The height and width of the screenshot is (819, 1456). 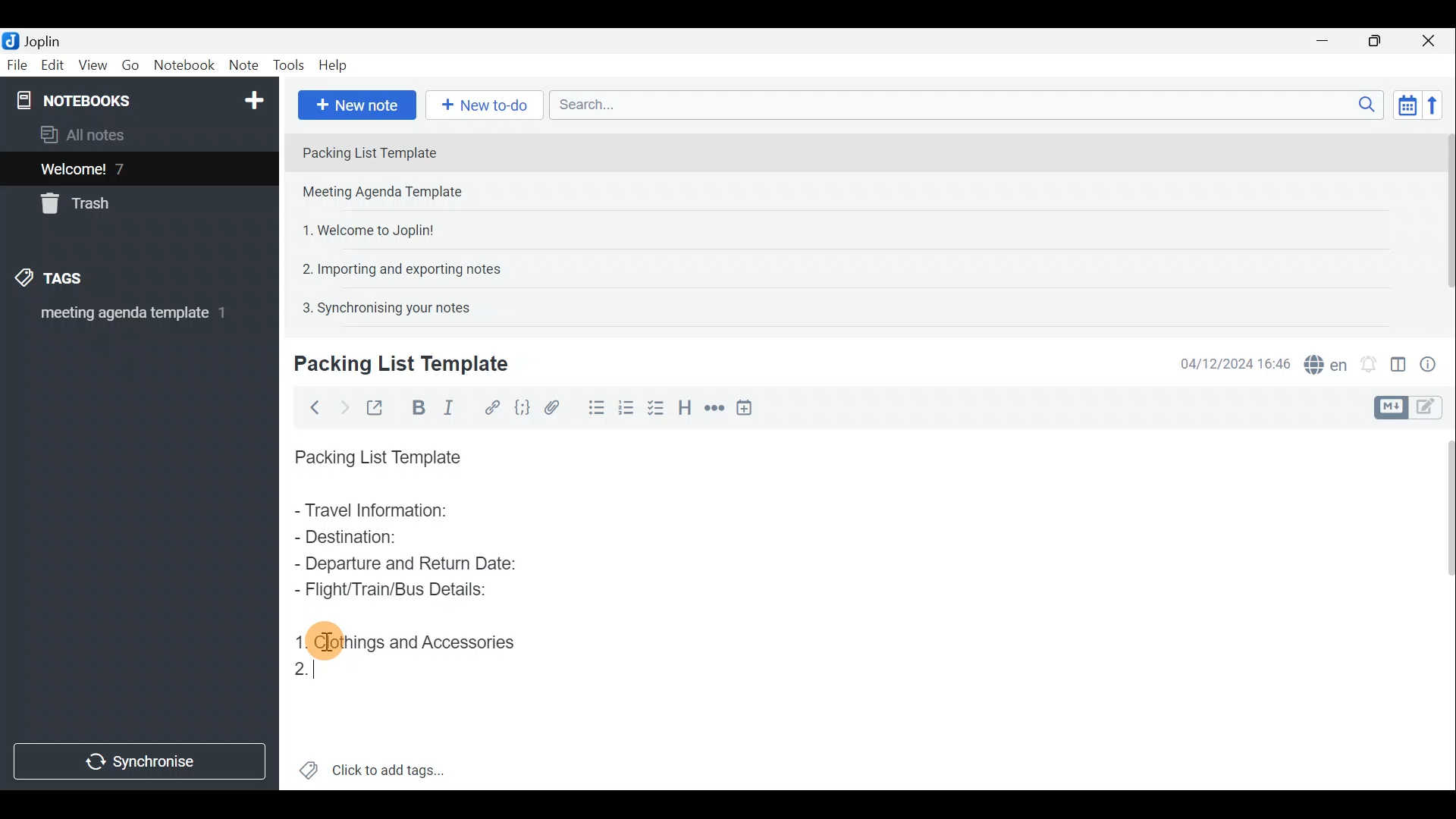 I want to click on Trash, so click(x=81, y=206).